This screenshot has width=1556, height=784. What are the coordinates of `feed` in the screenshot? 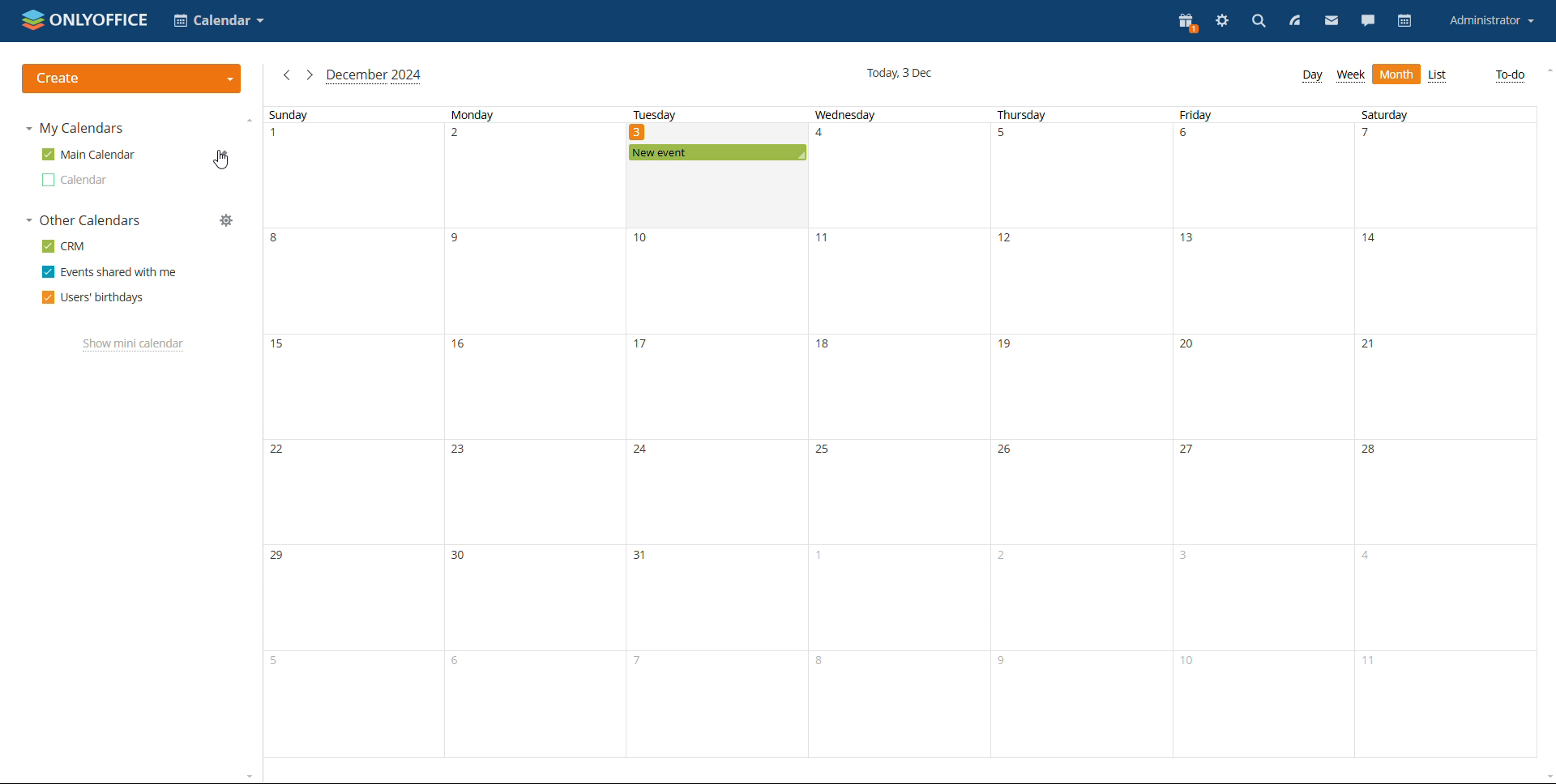 It's located at (1297, 22).